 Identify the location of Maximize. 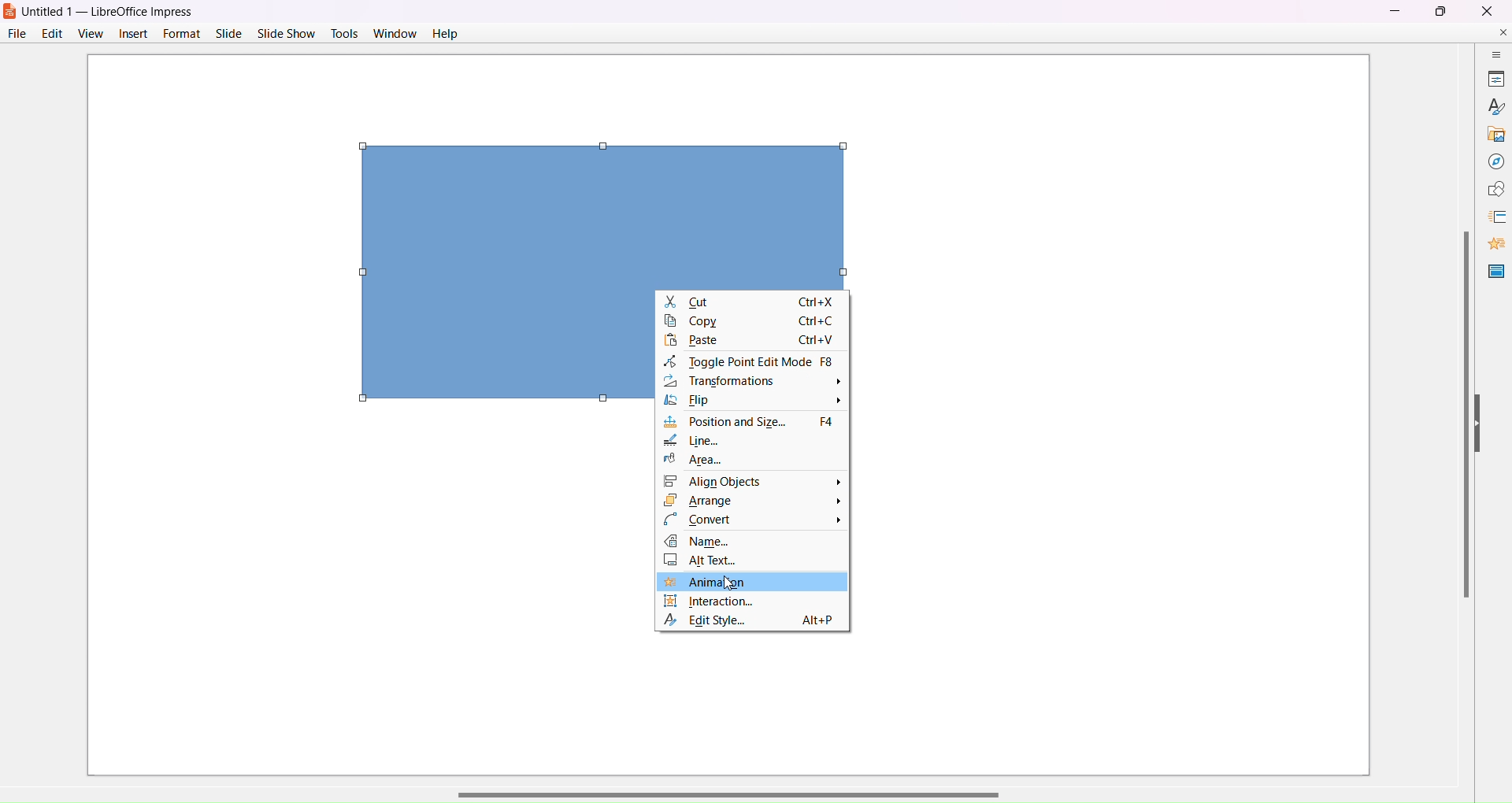
(1440, 12).